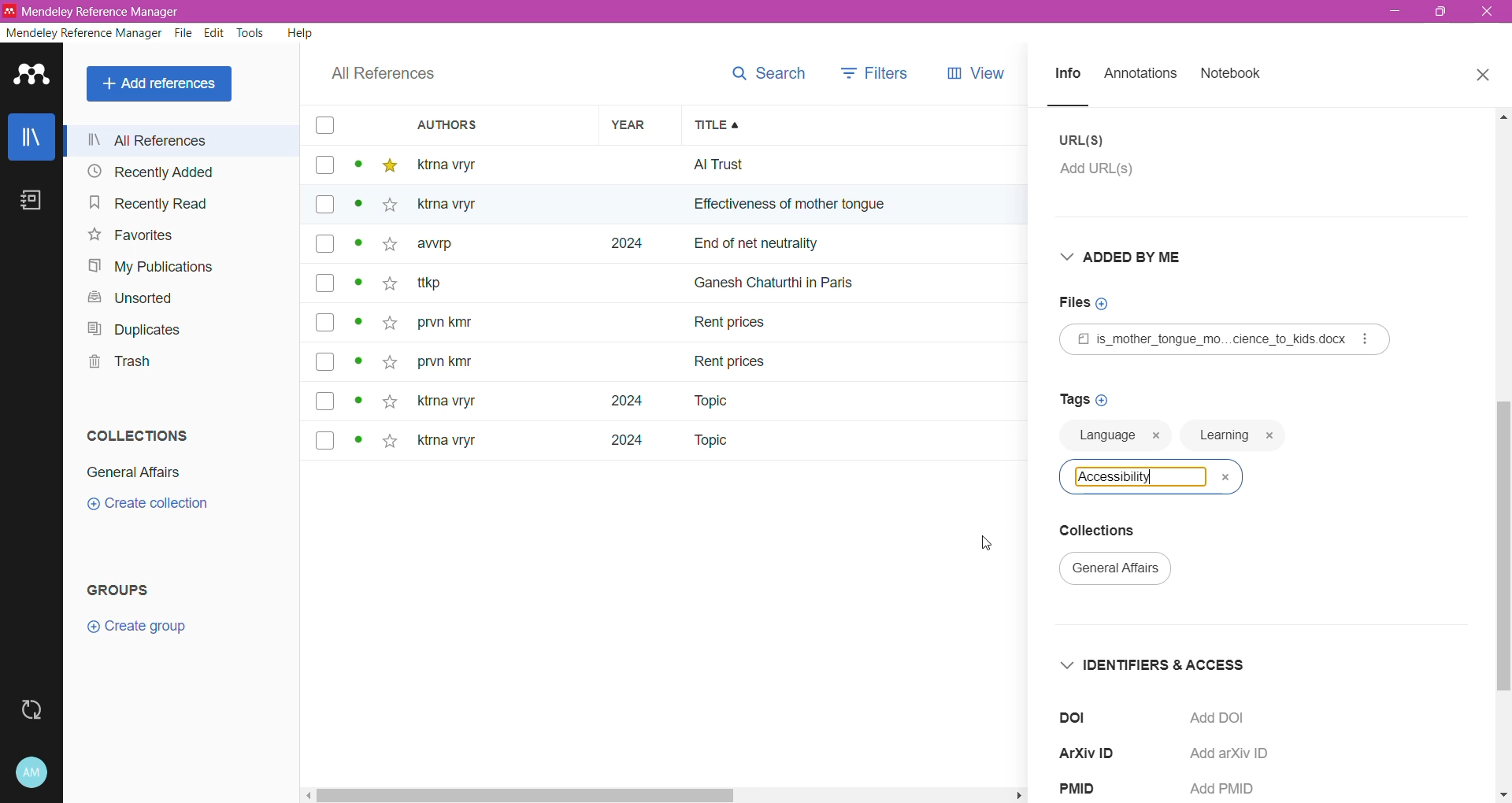 The image size is (1512, 803). Describe the element at coordinates (323, 126) in the screenshot. I see `box` at that location.